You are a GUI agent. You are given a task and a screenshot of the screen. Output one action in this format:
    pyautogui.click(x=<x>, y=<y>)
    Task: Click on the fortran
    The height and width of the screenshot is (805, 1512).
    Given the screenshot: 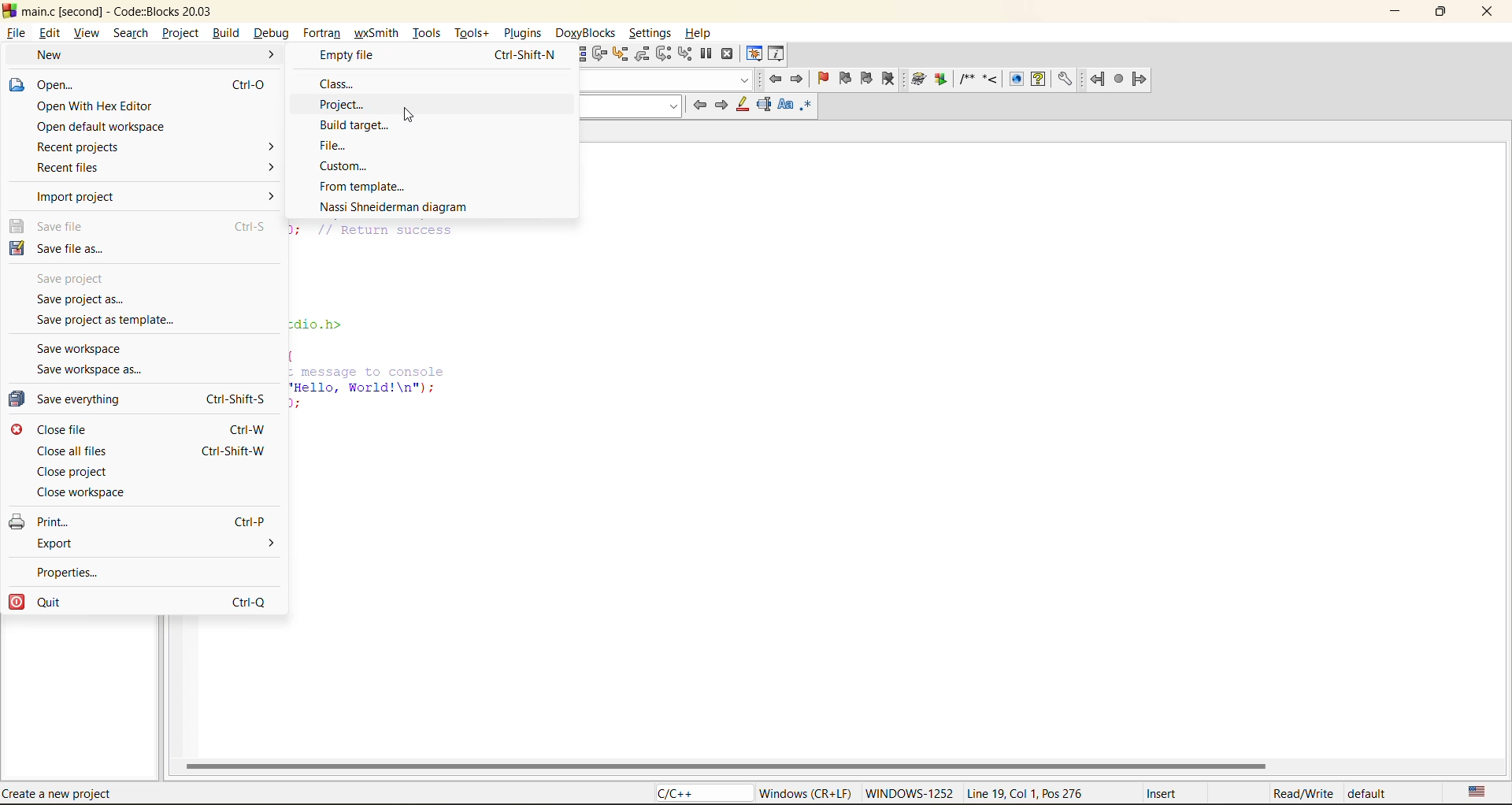 What is the action you would take?
    pyautogui.click(x=322, y=33)
    